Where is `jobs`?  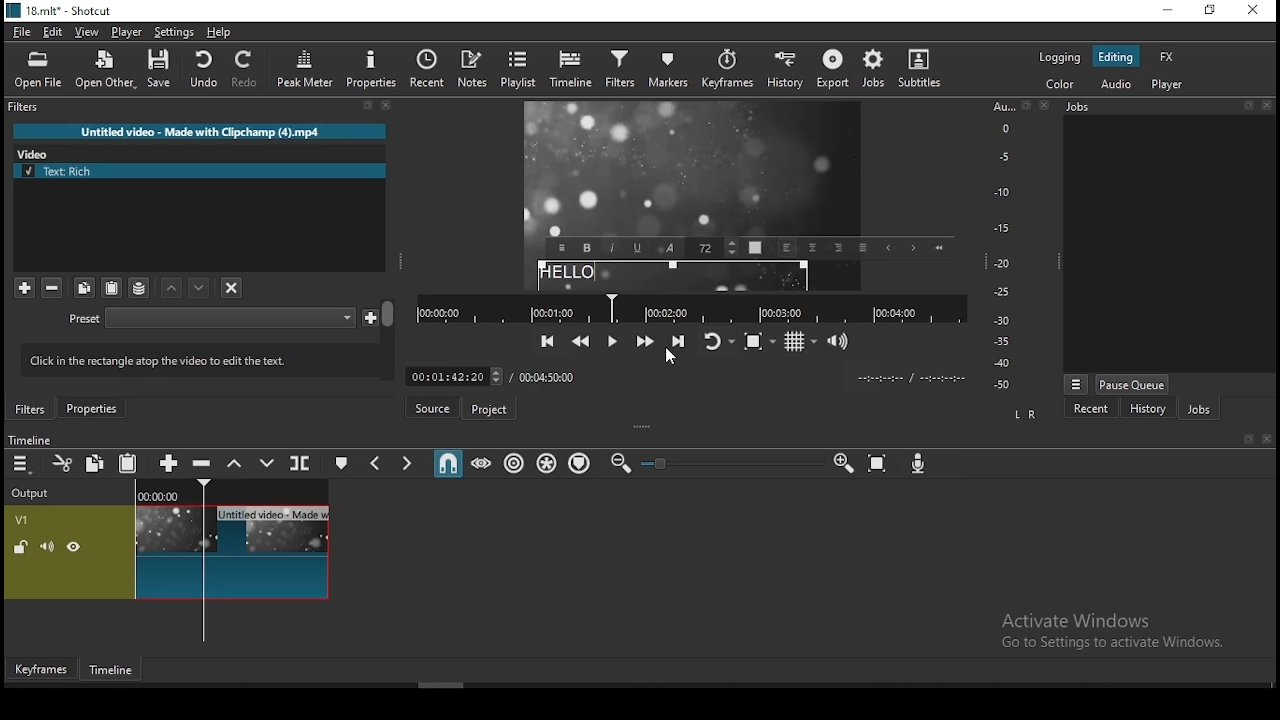 jobs is located at coordinates (1198, 408).